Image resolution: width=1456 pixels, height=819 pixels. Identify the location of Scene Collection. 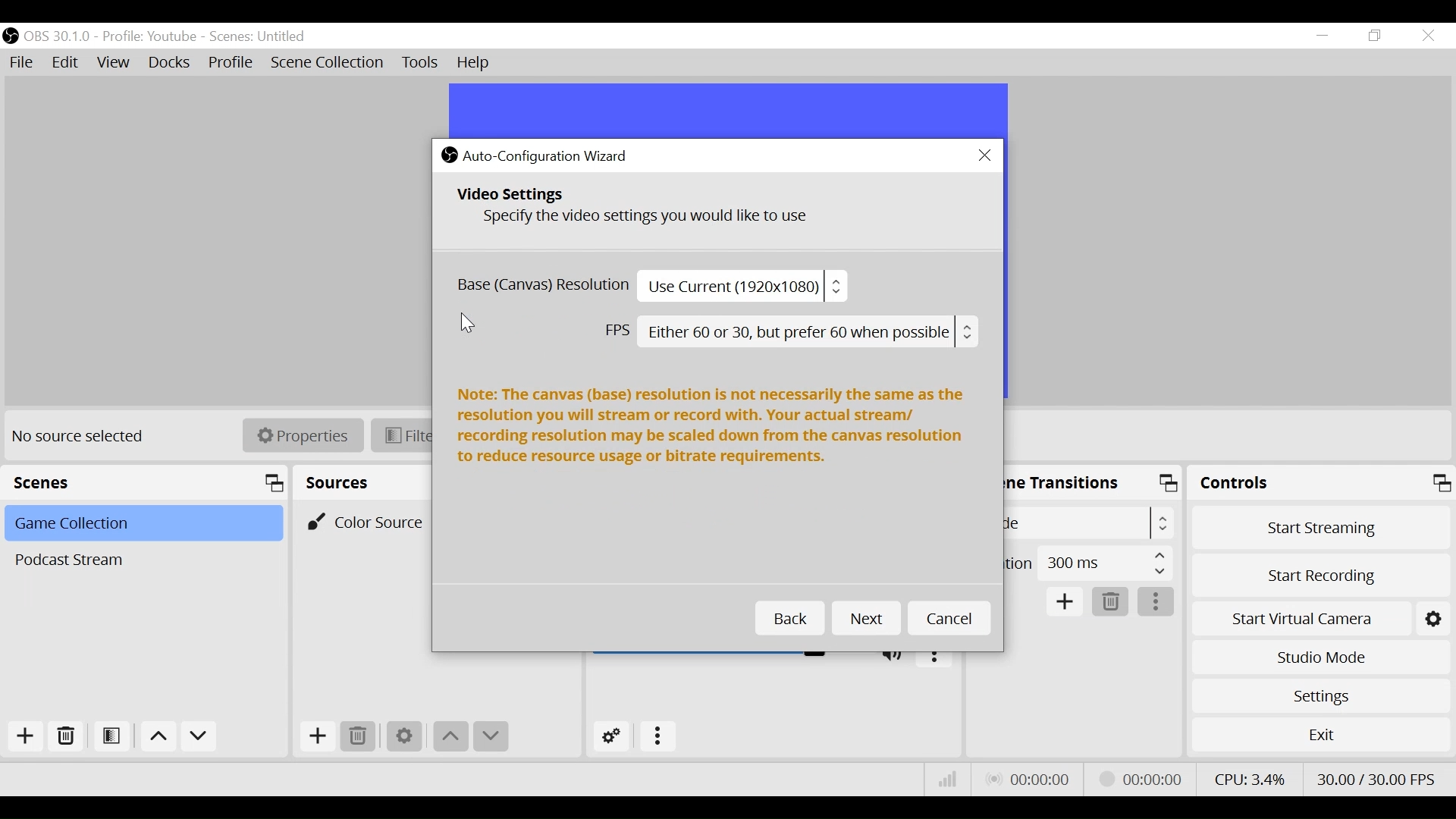
(326, 63).